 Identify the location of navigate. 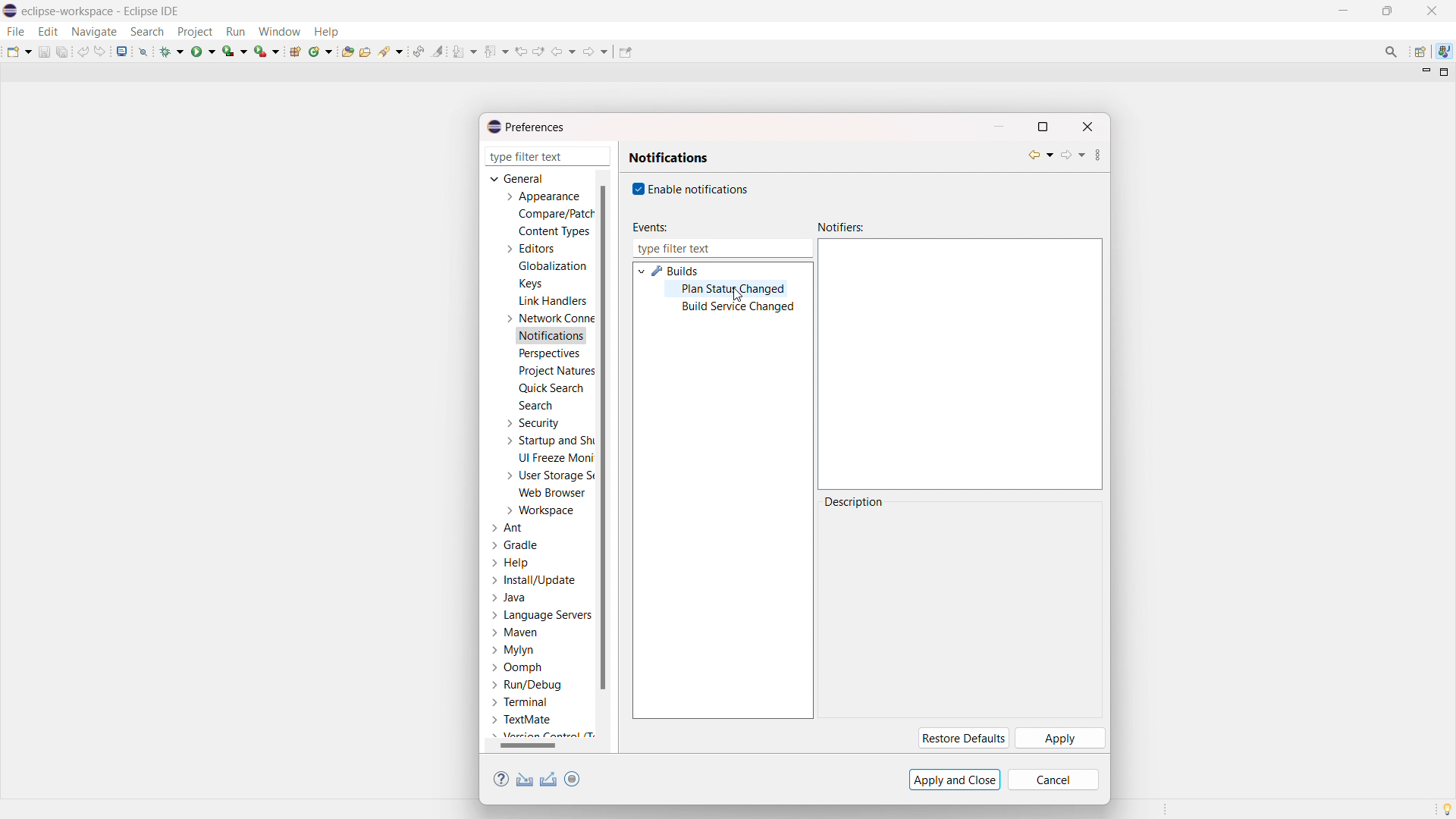
(93, 31).